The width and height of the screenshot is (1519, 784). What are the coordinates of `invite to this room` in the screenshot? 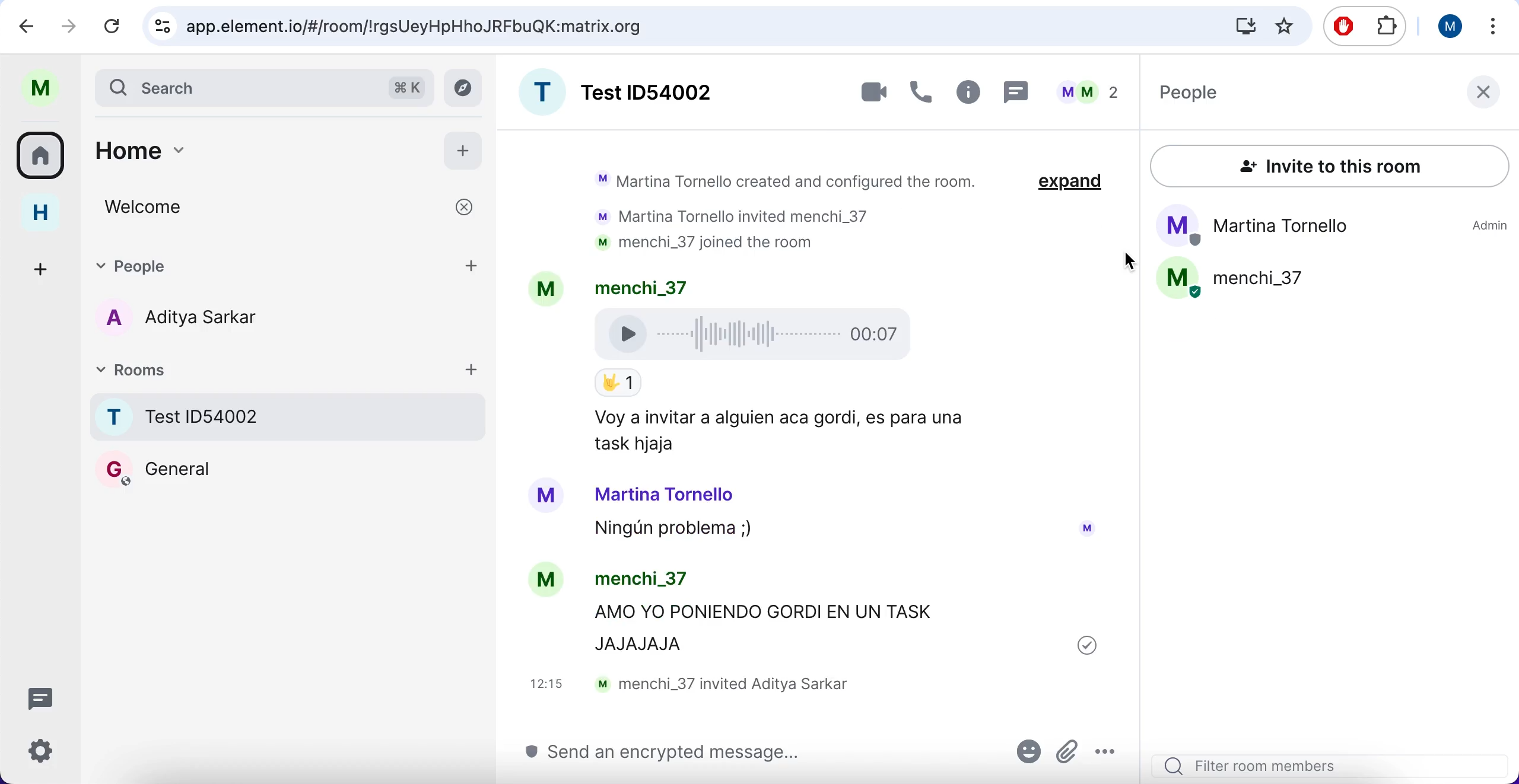 It's located at (1323, 164).